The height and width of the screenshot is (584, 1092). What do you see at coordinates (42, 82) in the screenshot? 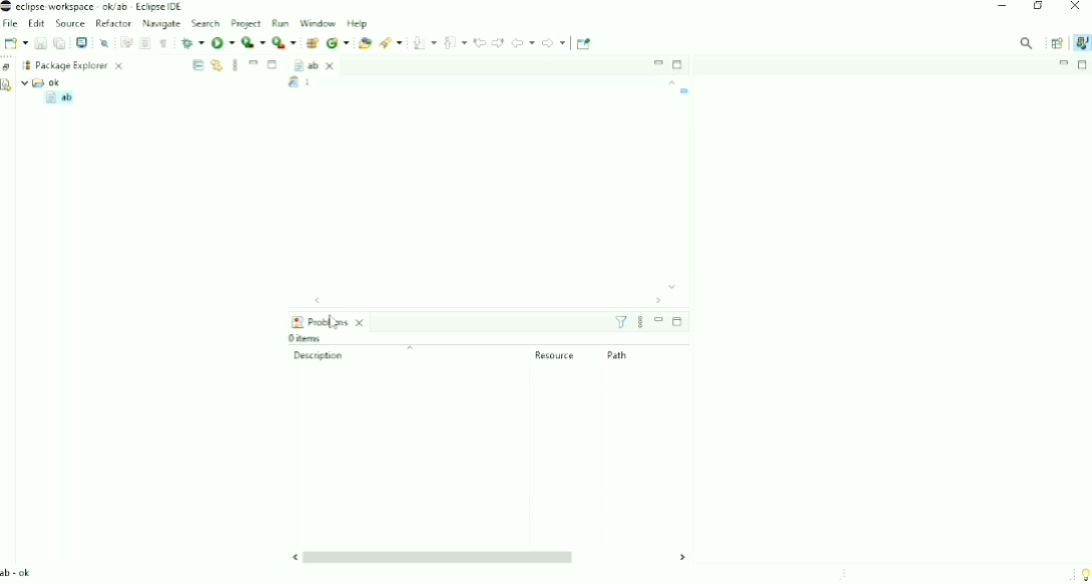
I see `ok` at bounding box center [42, 82].